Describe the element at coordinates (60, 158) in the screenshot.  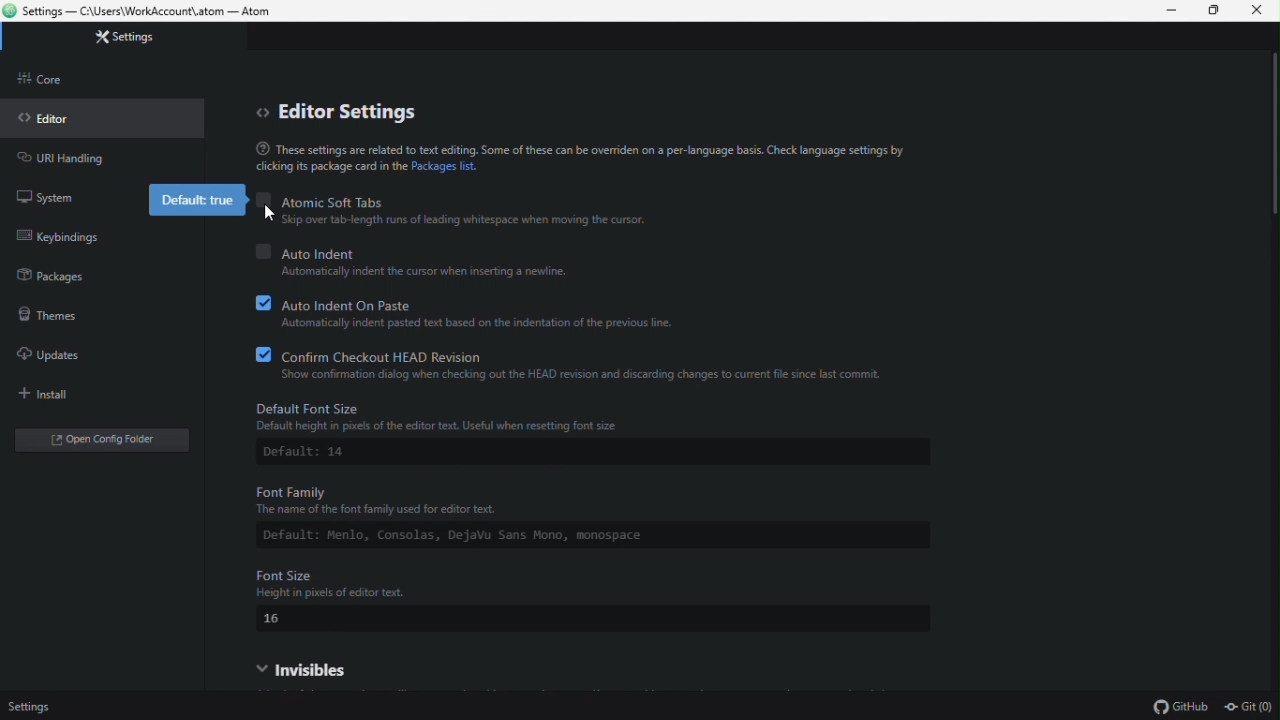
I see `URL handling` at that location.